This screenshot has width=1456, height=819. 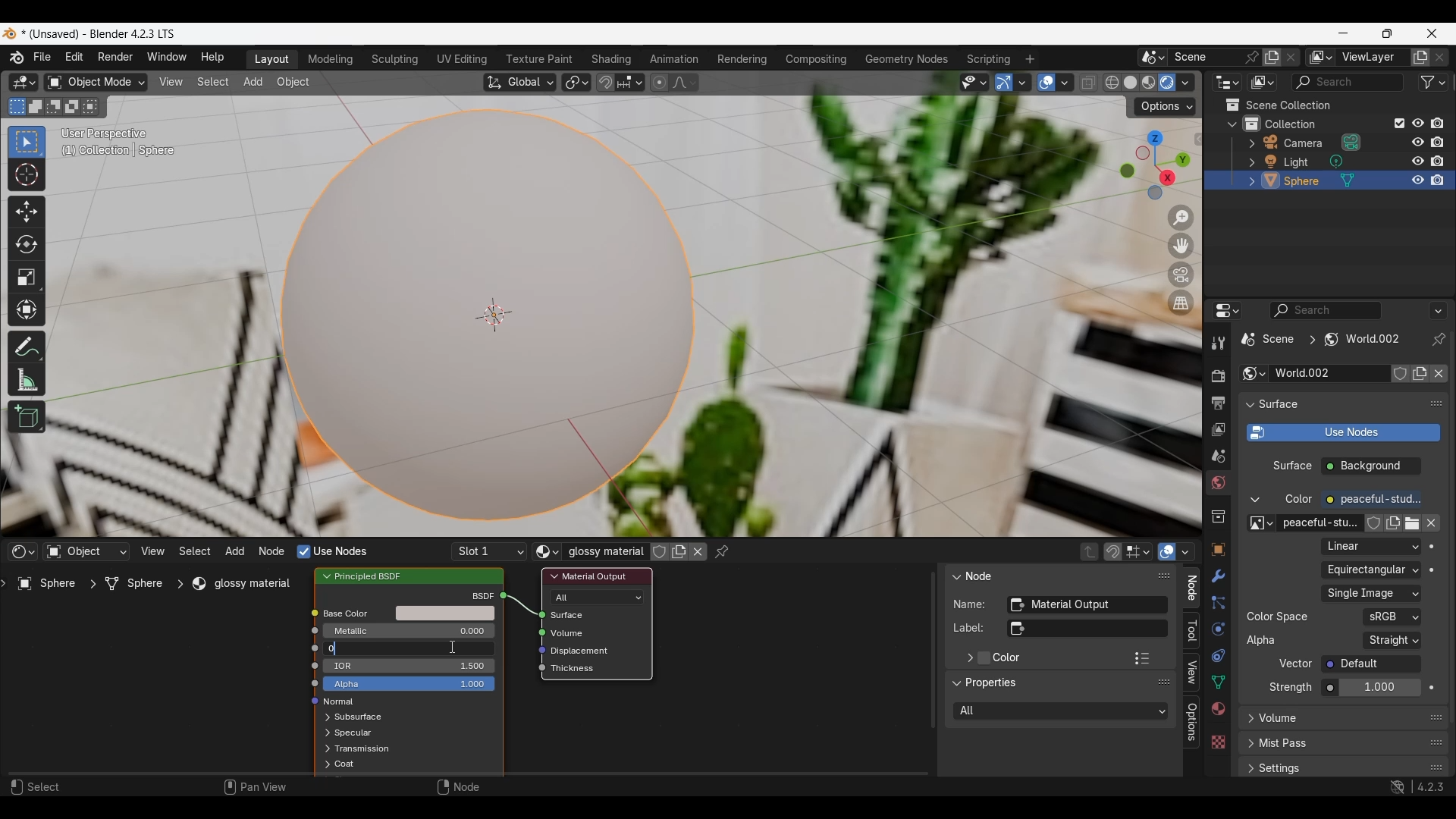 I want to click on Minimize, so click(x=1343, y=33).